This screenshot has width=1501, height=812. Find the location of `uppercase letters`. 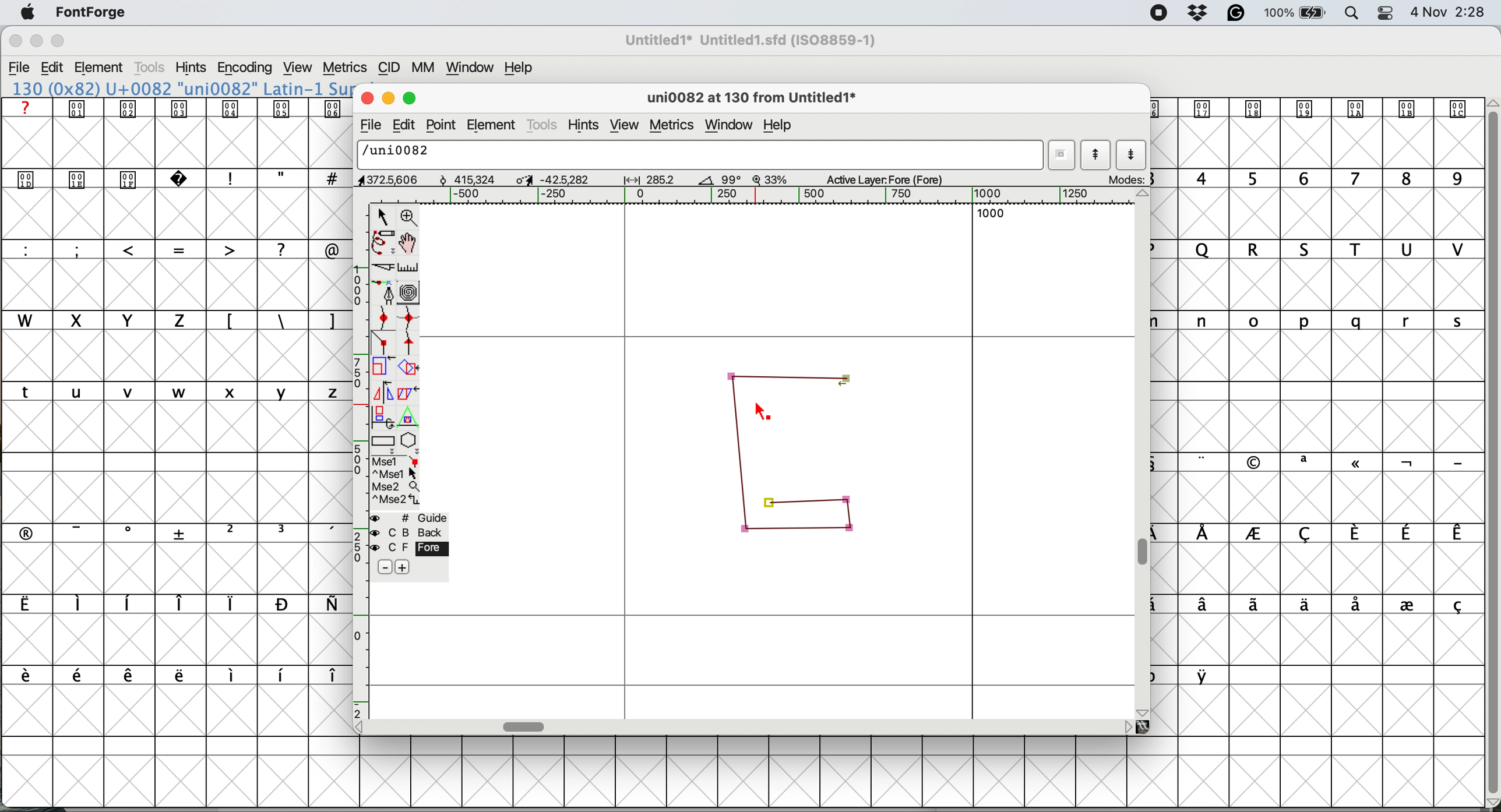

uppercase letters is located at coordinates (103, 320).